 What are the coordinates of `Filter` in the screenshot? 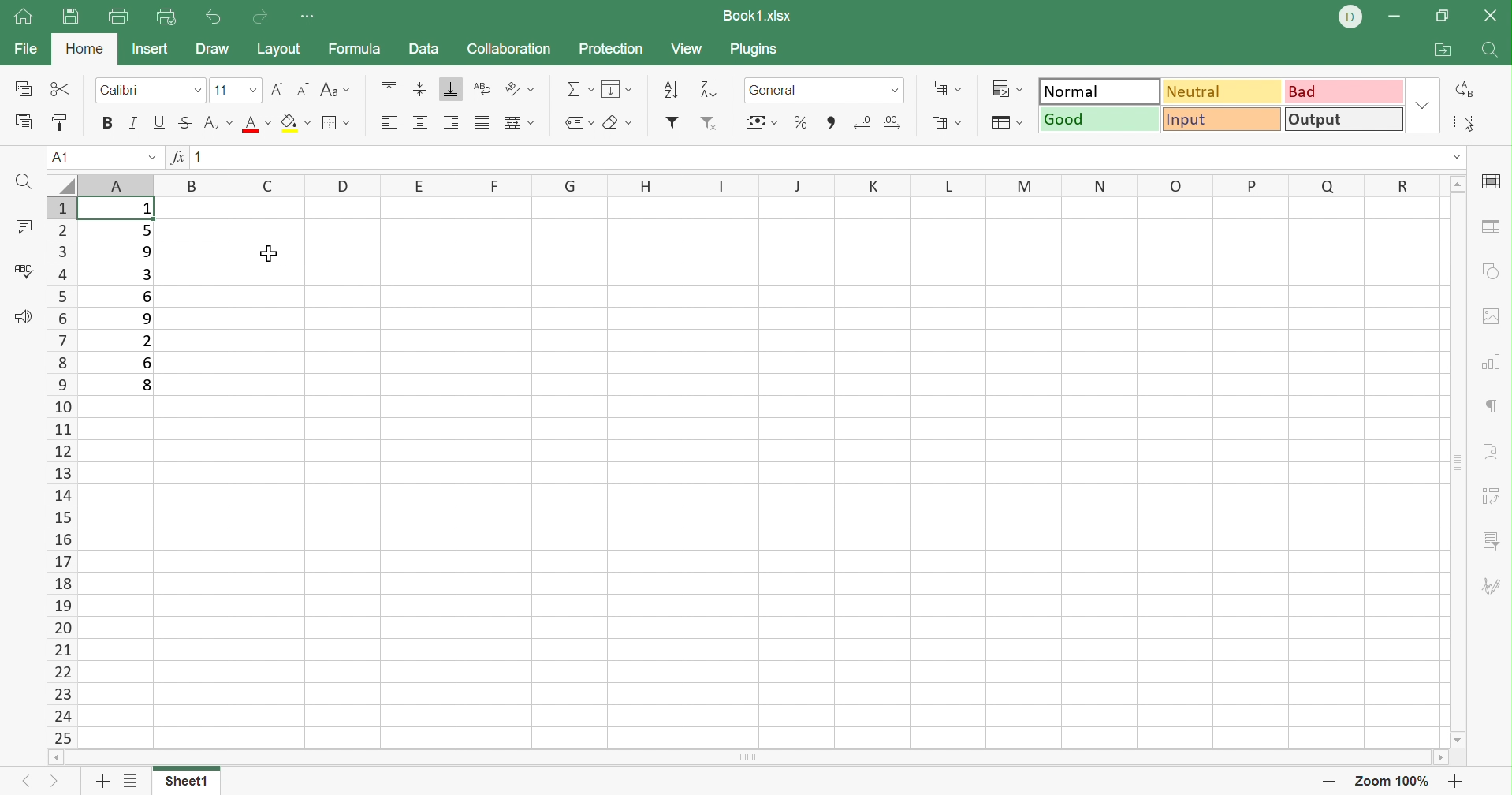 It's located at (671, 123).